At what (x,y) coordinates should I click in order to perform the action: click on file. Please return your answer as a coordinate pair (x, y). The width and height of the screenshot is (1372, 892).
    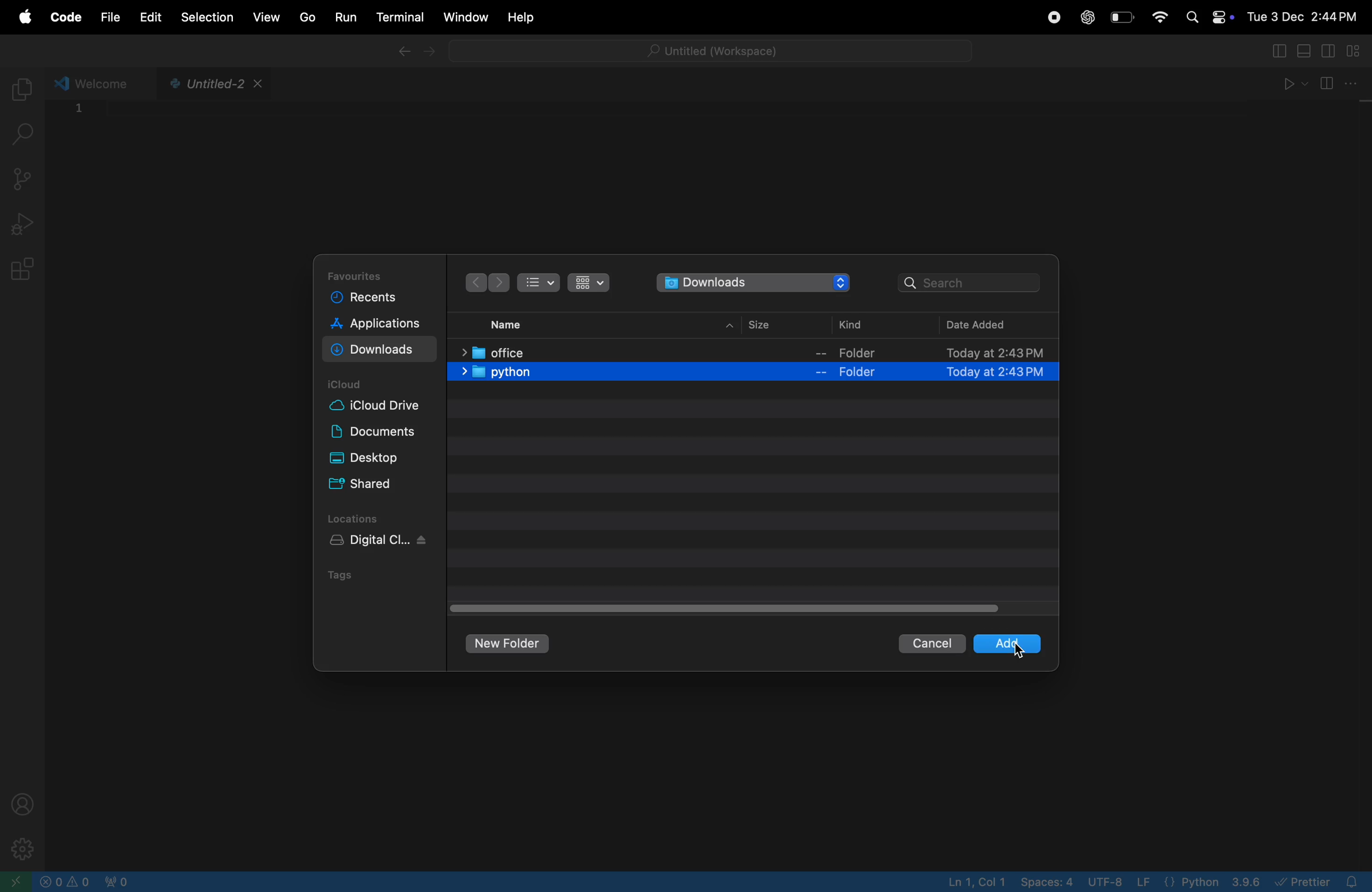
    Looking at the image, I should click on (110, 20).